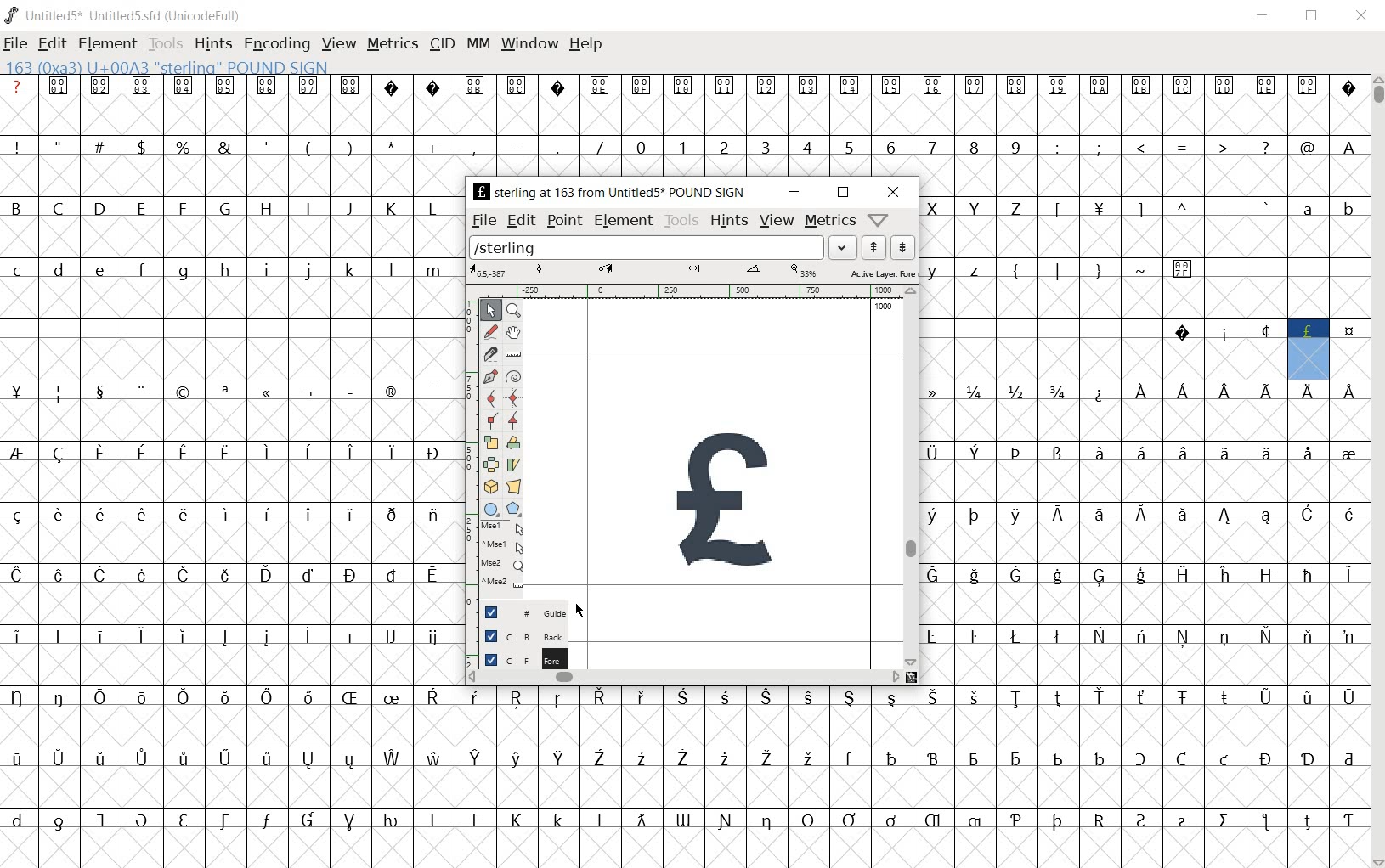  I want to click on Symbol, so click(1015, 575).